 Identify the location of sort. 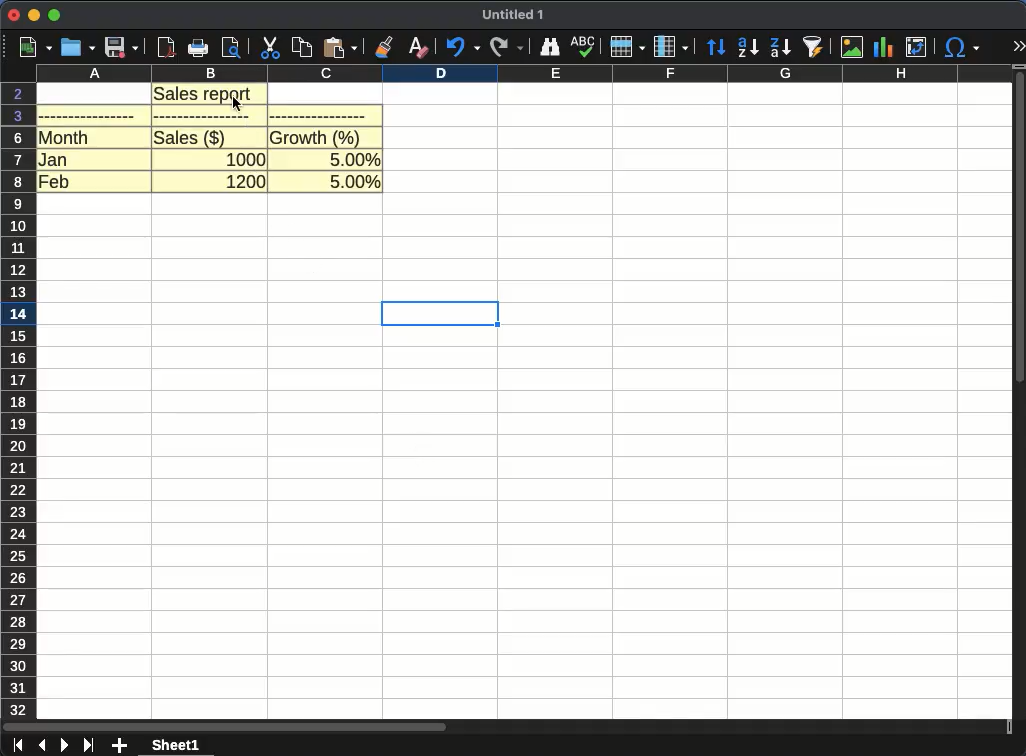
(717, 48).